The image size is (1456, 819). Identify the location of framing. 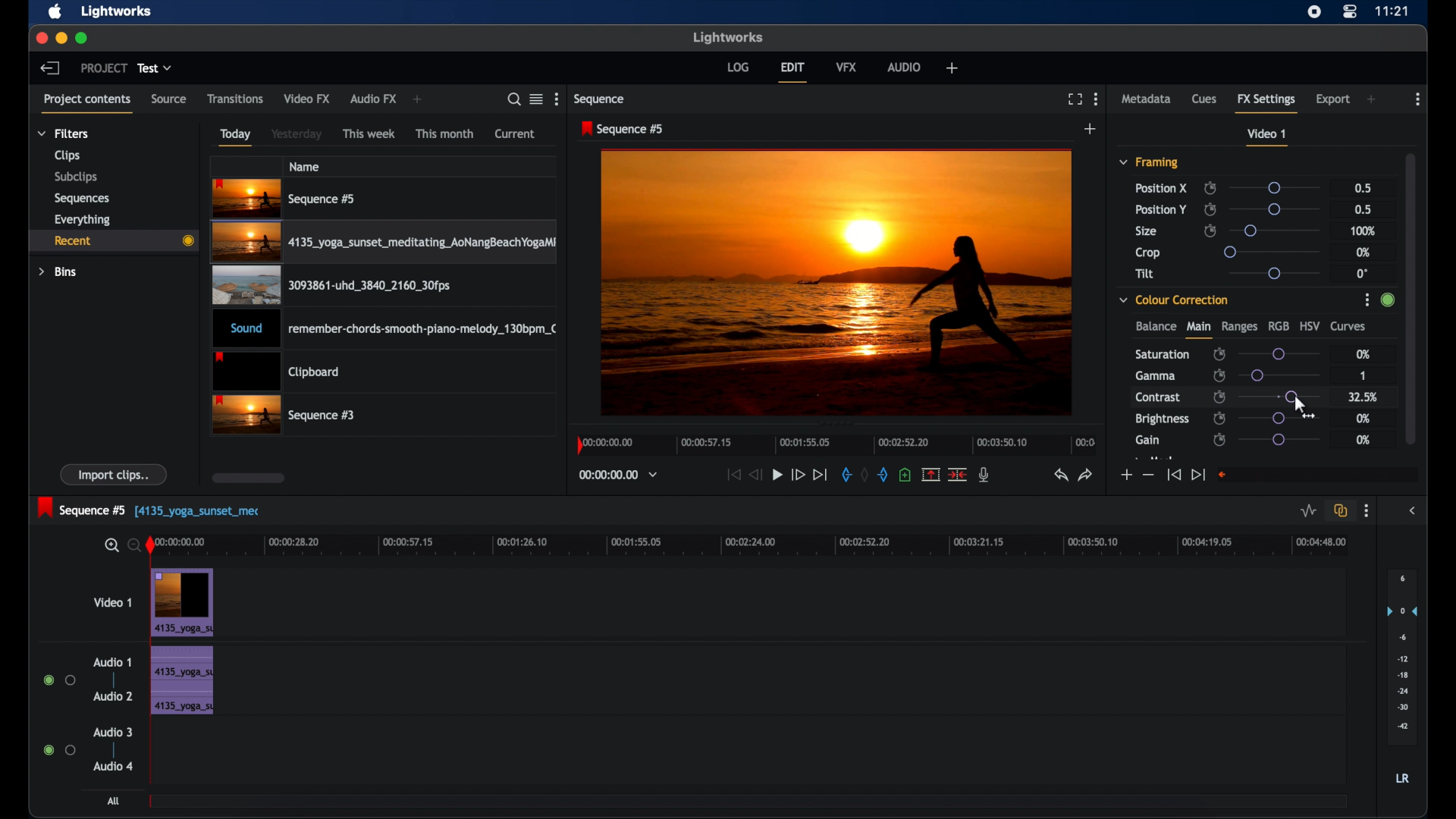
(1148, 162).